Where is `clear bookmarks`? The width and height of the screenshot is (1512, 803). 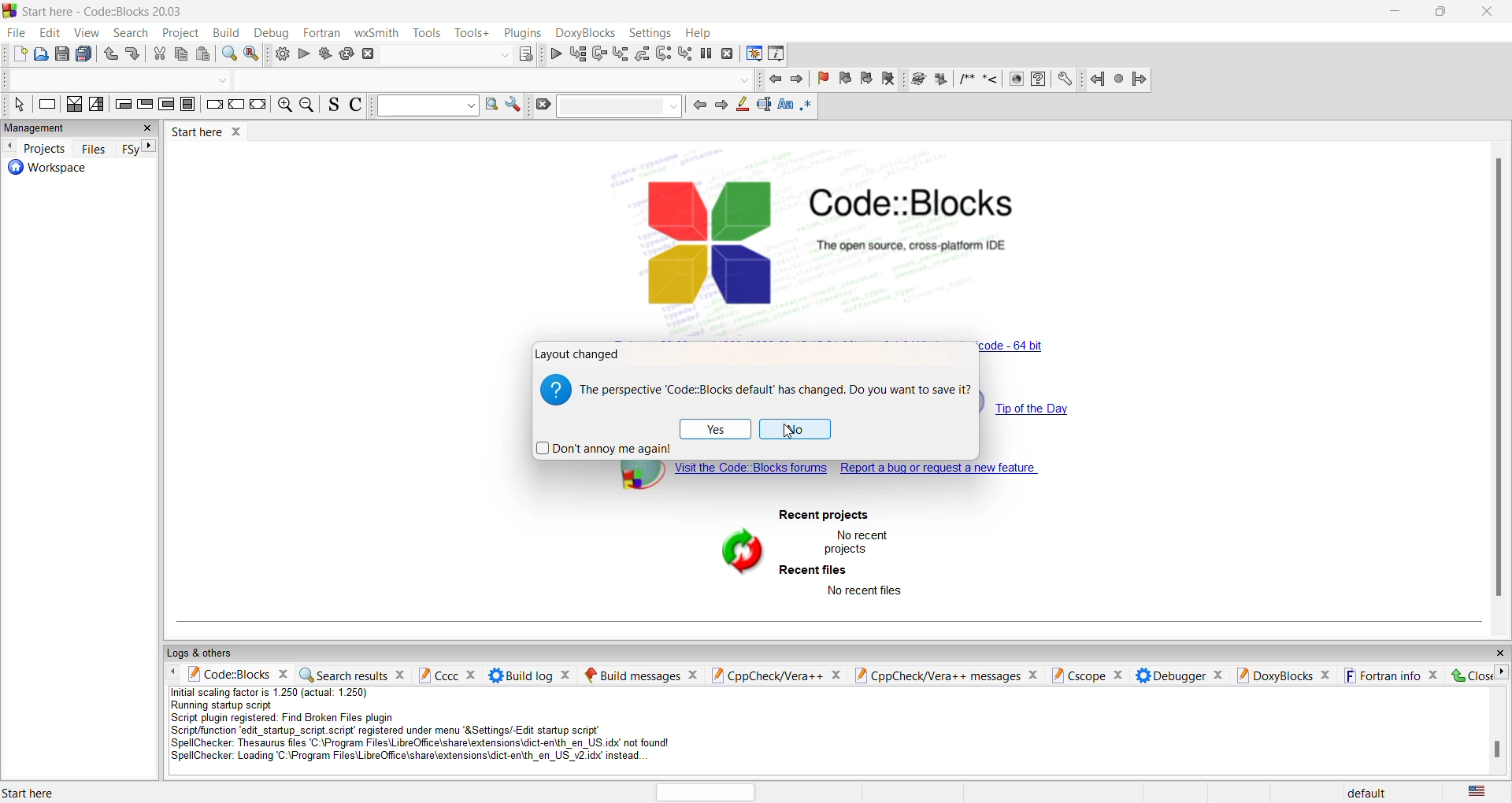
clear bookmarks is located at coordinates (888, 79).